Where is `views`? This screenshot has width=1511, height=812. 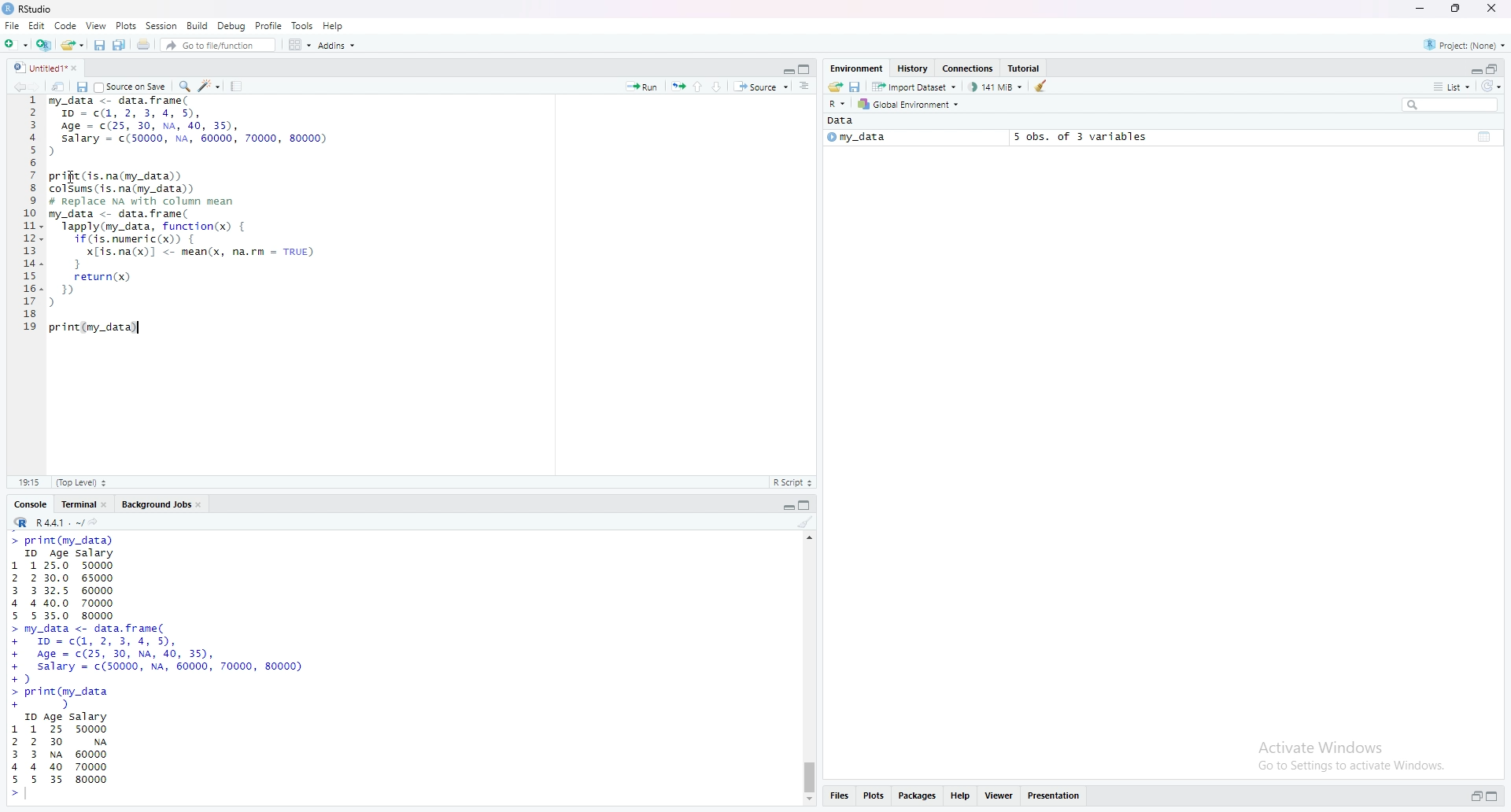 views is located at coordinates (1002, 795).